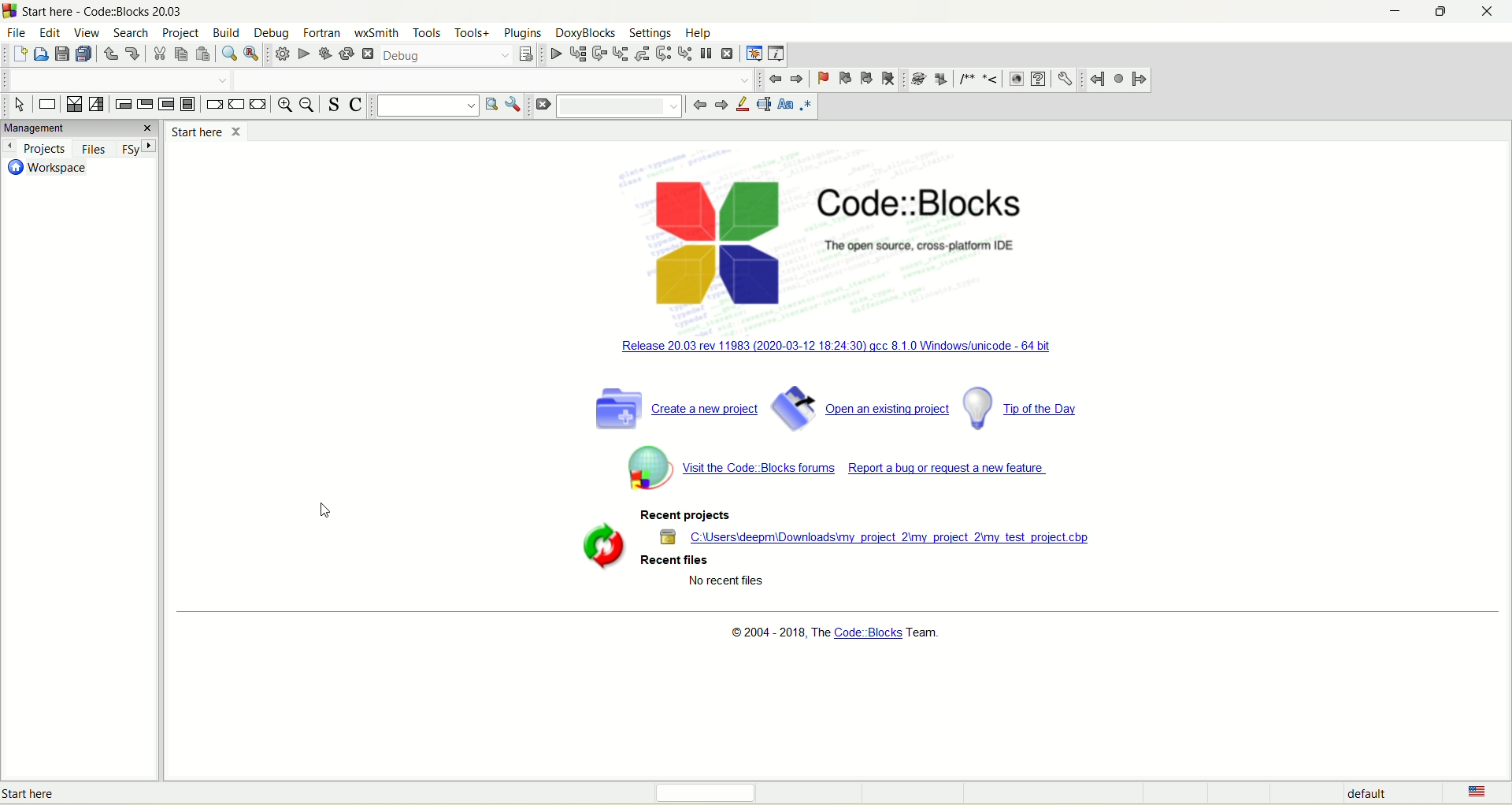 Image resolution: width=1512 pixels, height=805 pixels. What do you see at coordinates (648, 33) in the screenshot?
I see `settings` at bounding box center [648, 33].